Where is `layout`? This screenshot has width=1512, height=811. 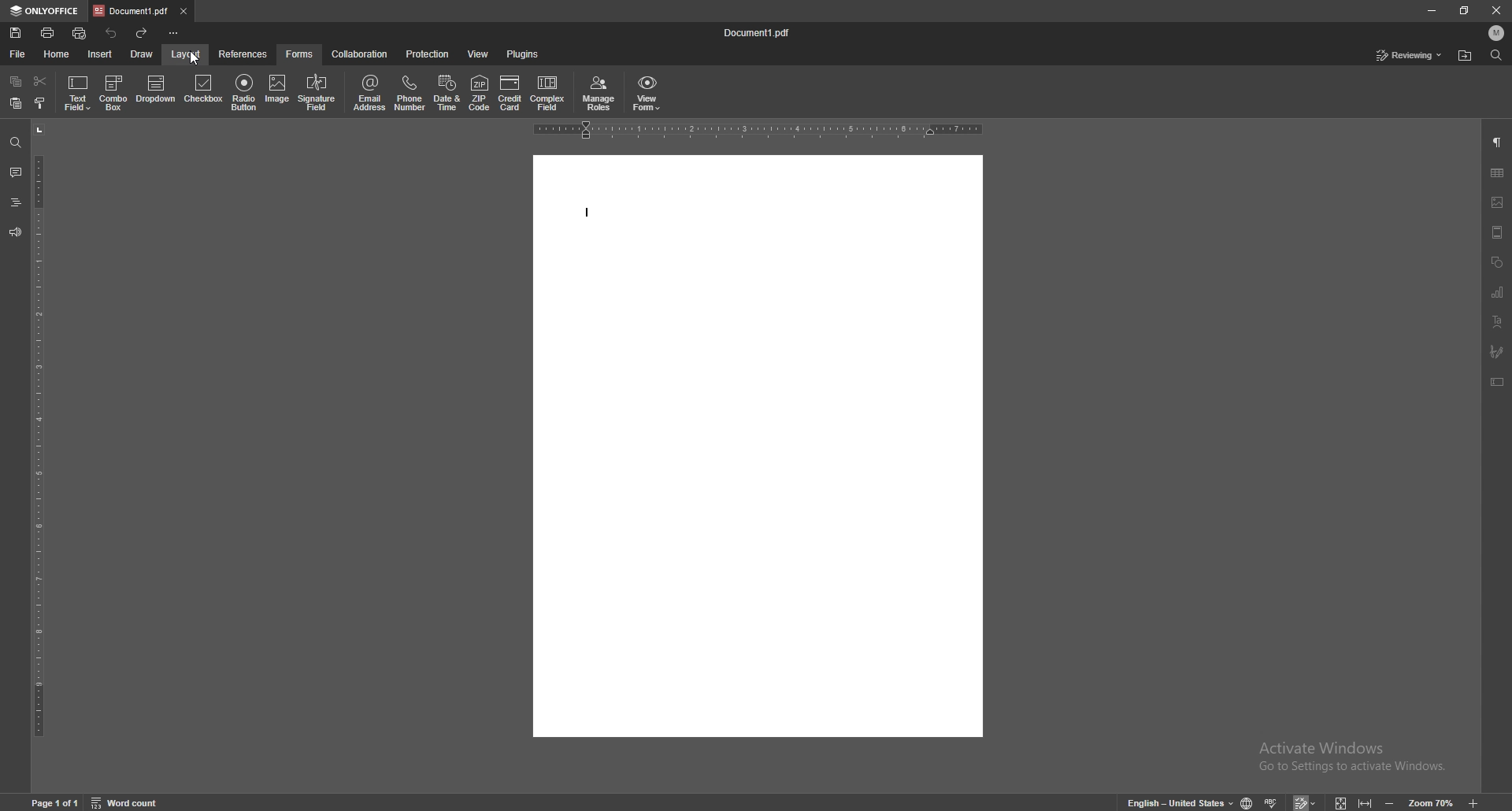
layout is located at coordinates (187, 53).